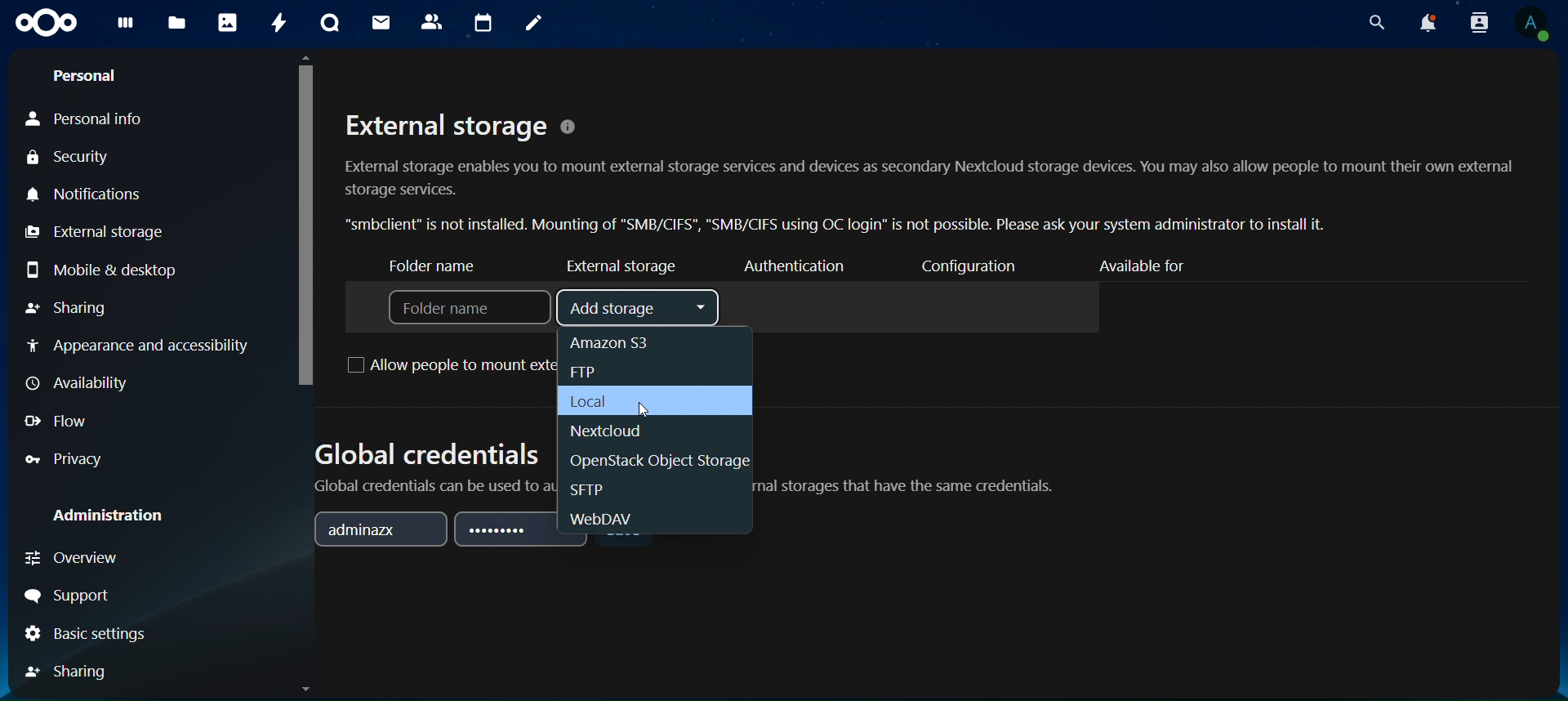 The image size is (1568, 701). What do you see at coordinates (381, 526) in the screenshot?
I see `adminazx` at bounding box center [381, 526].